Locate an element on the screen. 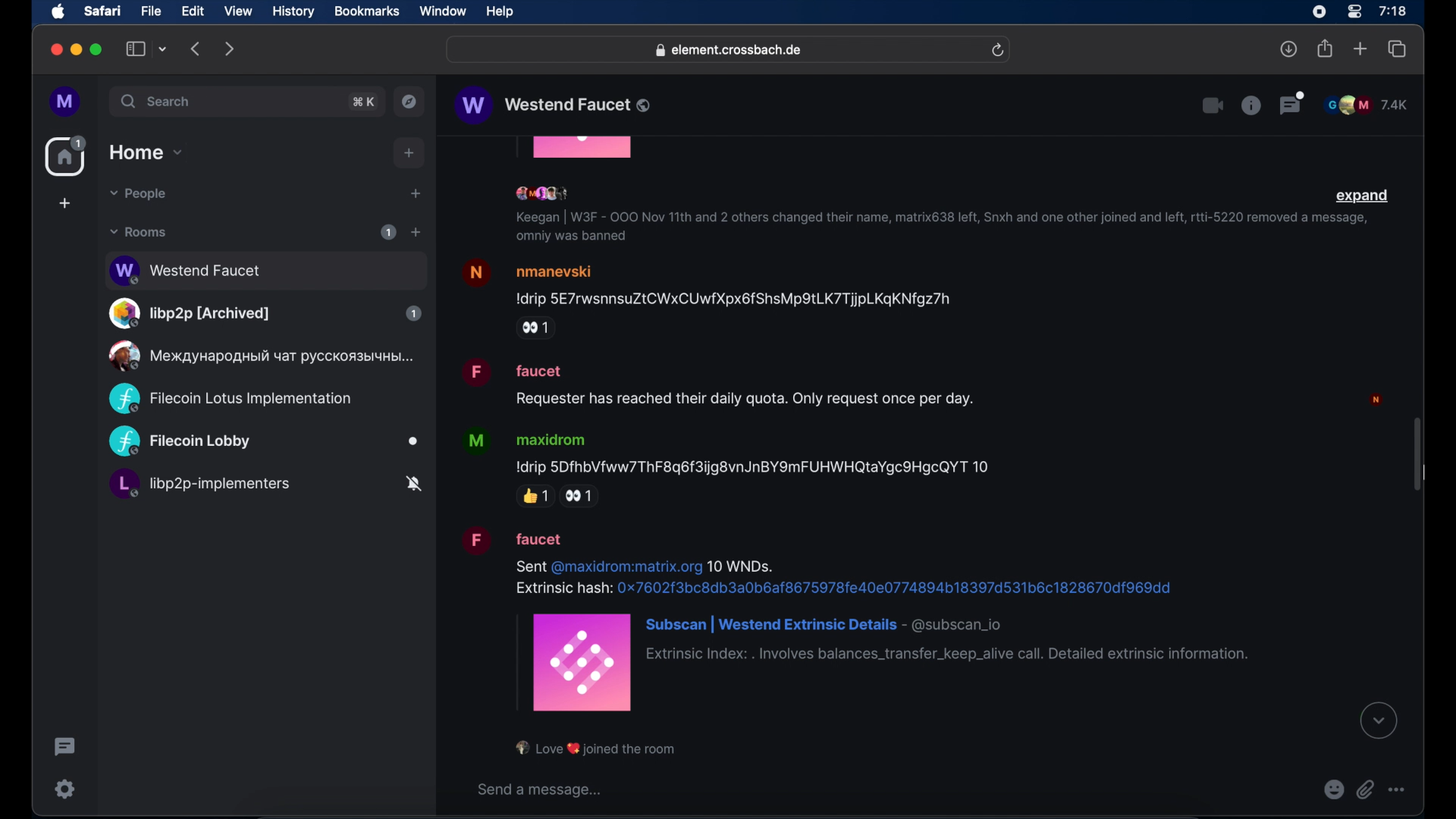  thumbs up reaction is located at coordinates (535, 496).